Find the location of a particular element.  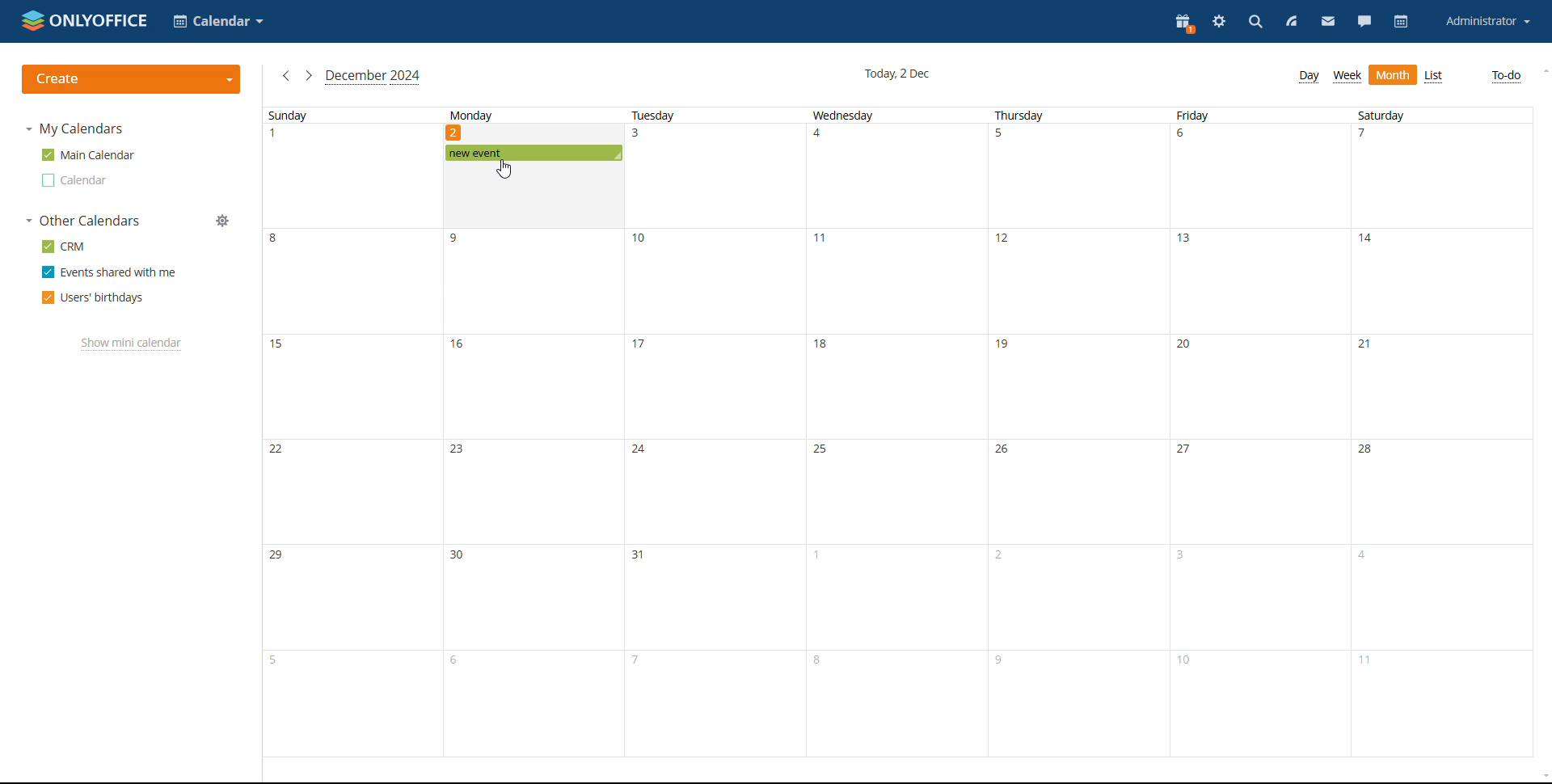

scheduled event is located at coordinates (533, 153).